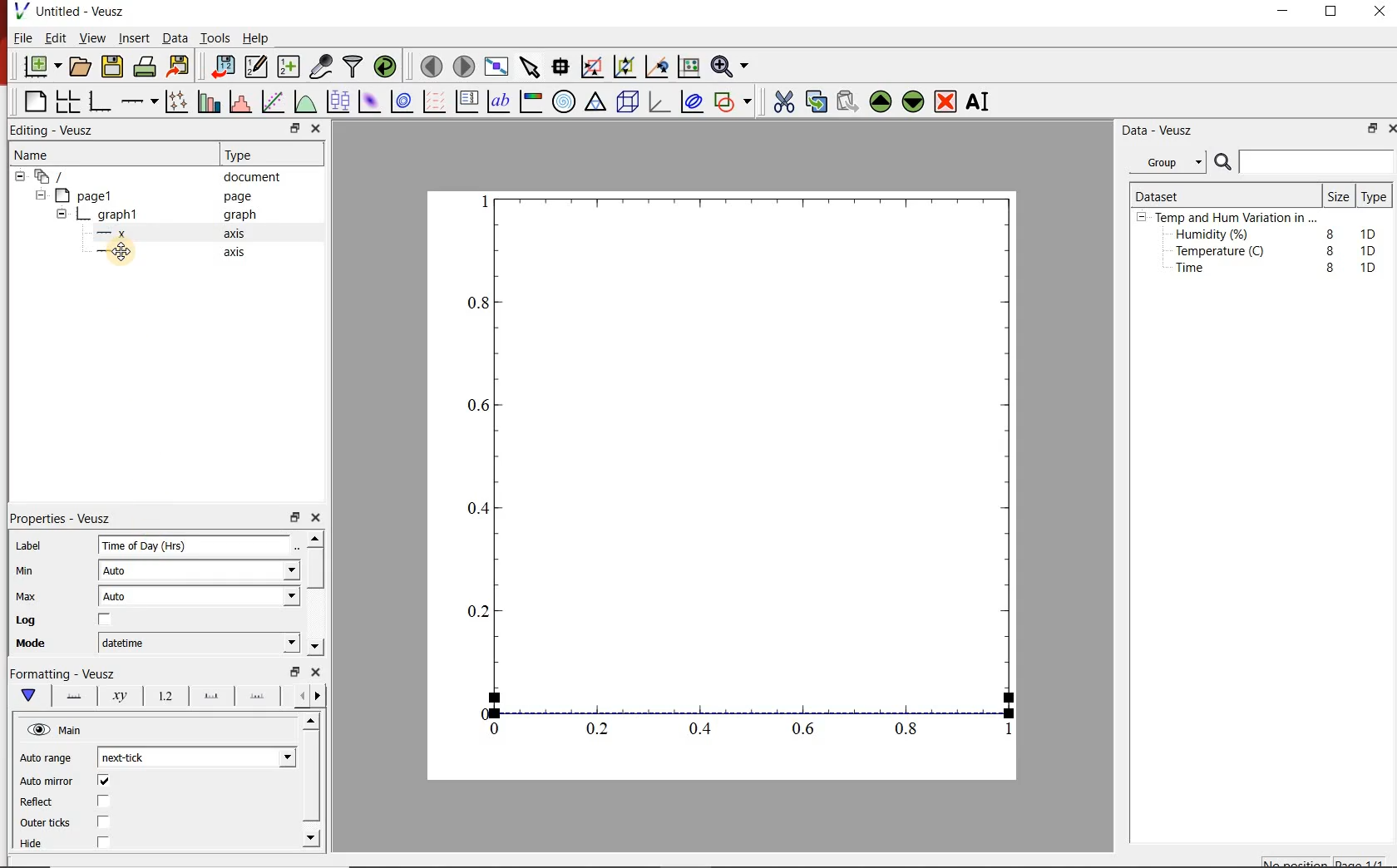 The image size is (1397, 868). What do you see at coordinates (43, 197) in the screenshot?
I see `hide sub menu` at bounding box center [43, 197].